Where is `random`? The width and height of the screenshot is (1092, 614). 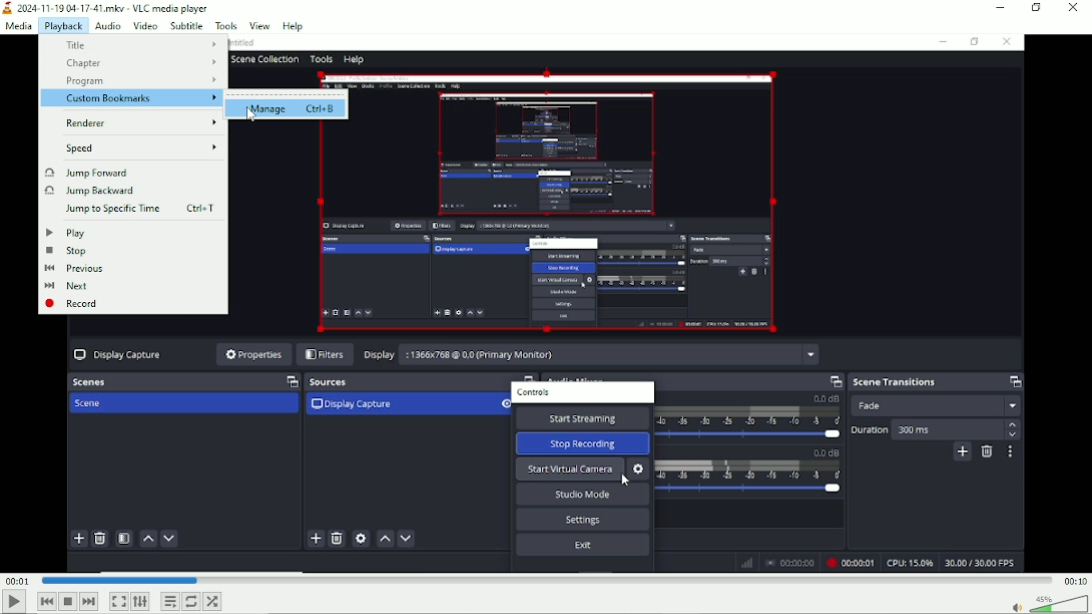
random is located at coordinates (213, 601).